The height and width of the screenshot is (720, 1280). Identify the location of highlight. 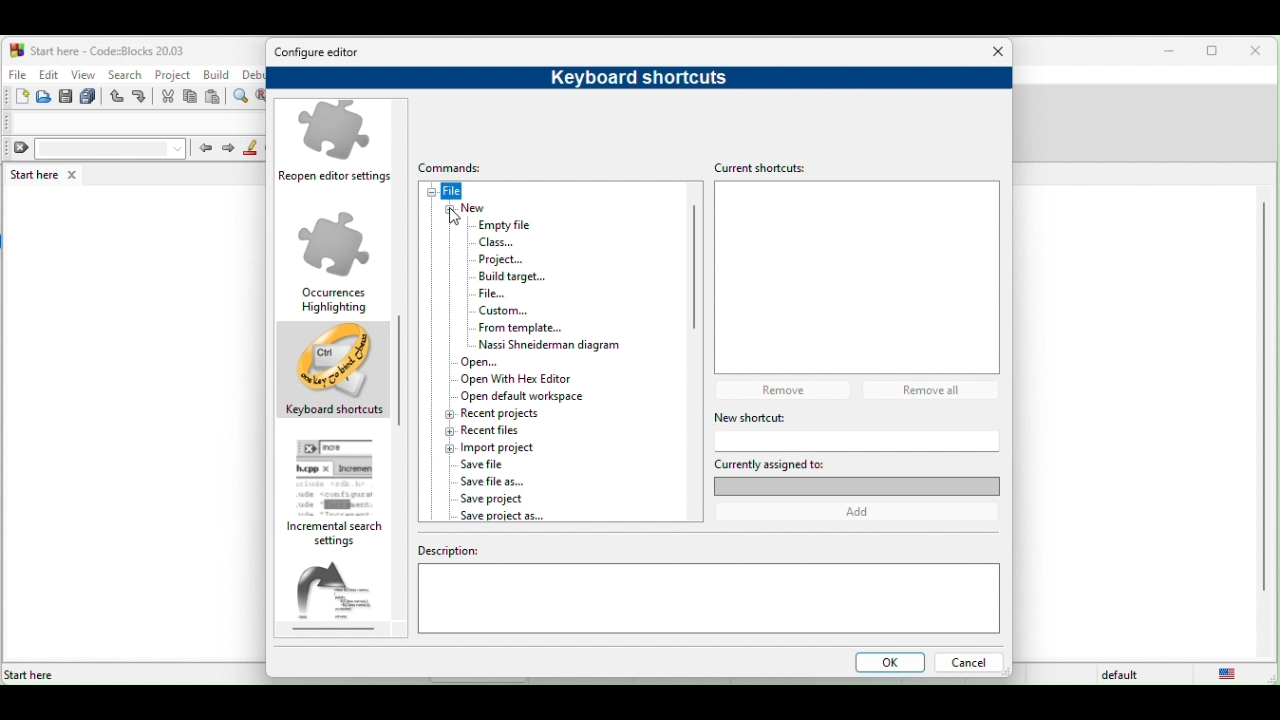
(251, 148).